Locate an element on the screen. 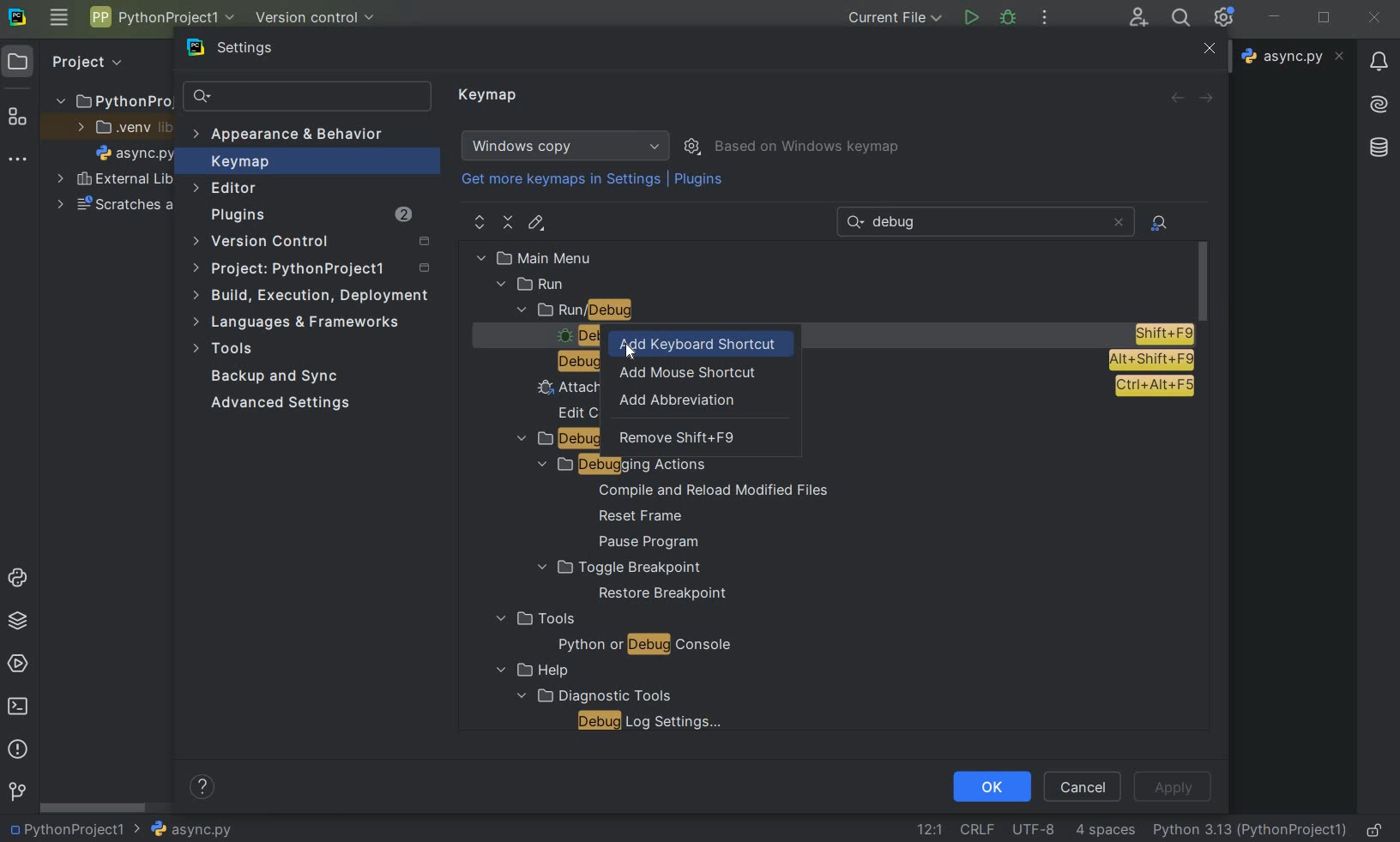  back is located at coordinates (1176, 98).